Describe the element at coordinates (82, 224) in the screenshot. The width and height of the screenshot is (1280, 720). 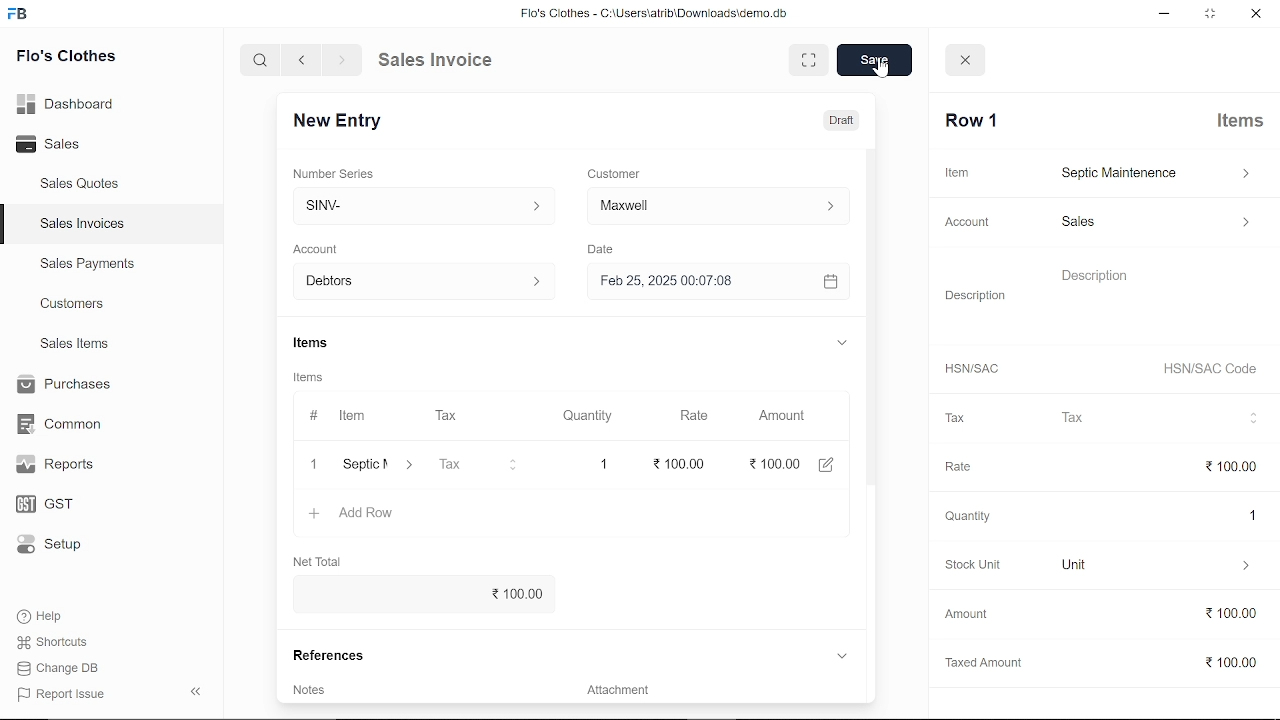
I see `Sales Invoices` at that location.